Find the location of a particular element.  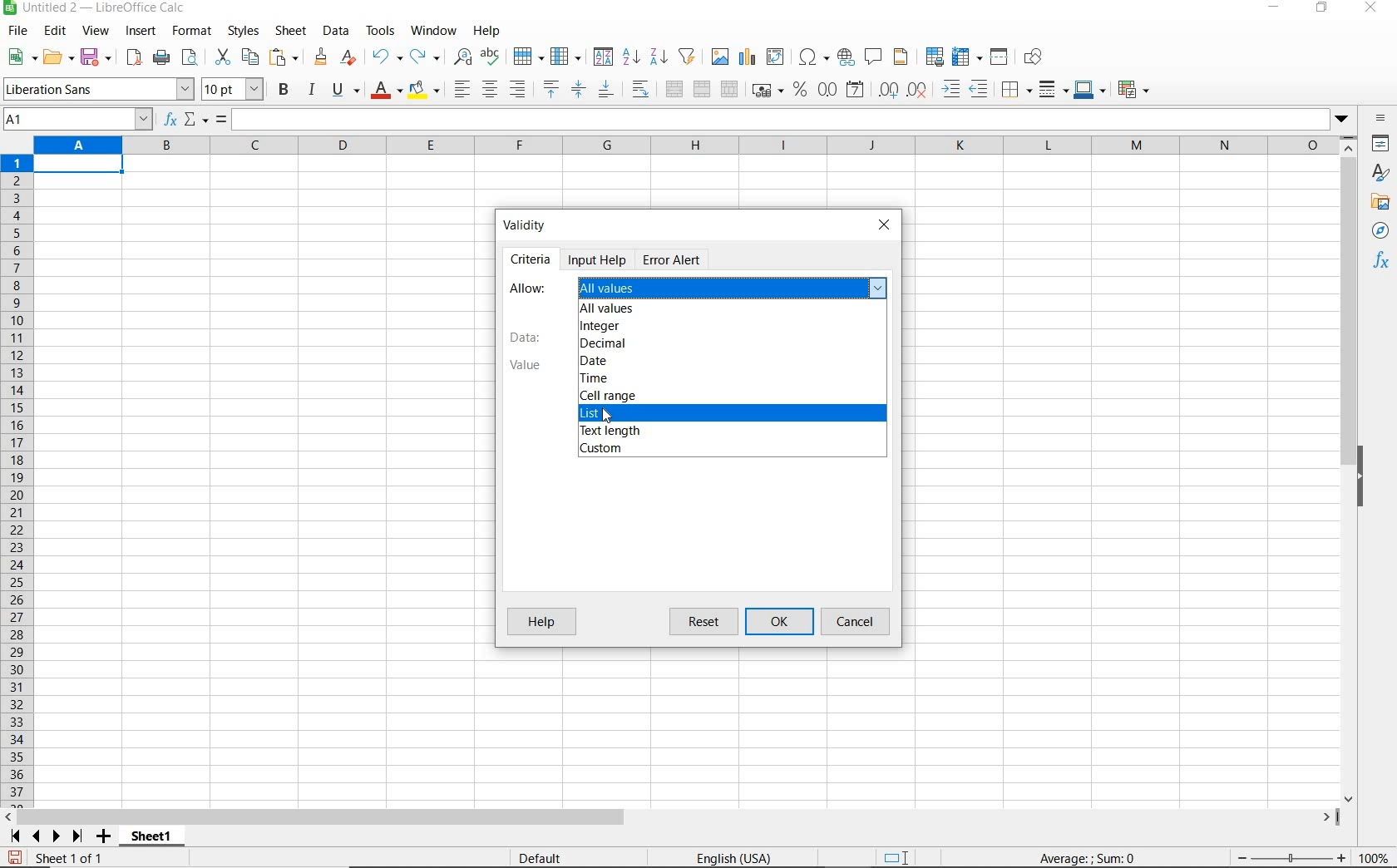

Allow is located at coordinates (530, 287).